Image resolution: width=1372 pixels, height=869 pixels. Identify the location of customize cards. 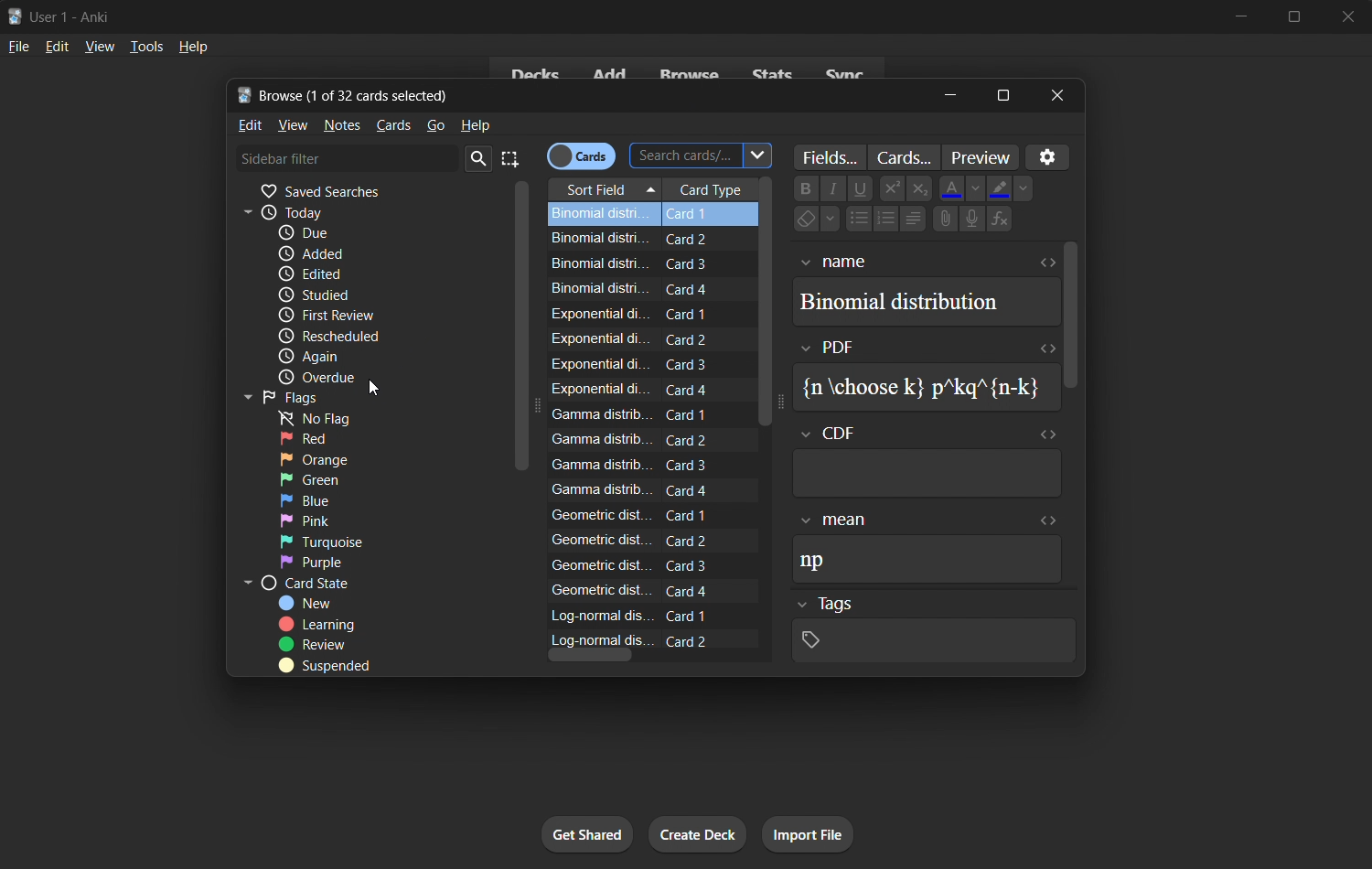
(908, 156).